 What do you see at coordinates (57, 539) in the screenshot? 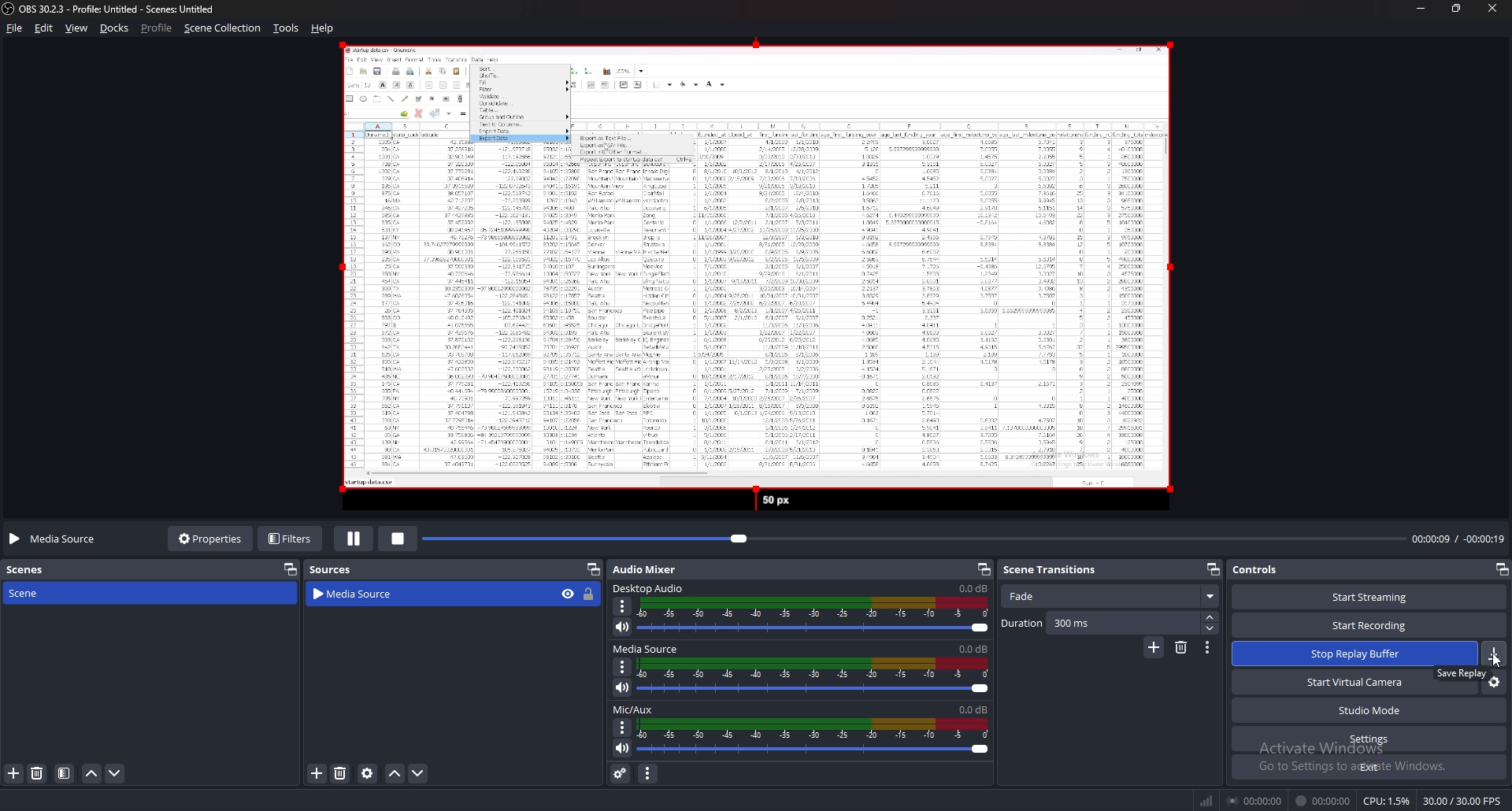
I see `media source` at bounding box center [57, 539].